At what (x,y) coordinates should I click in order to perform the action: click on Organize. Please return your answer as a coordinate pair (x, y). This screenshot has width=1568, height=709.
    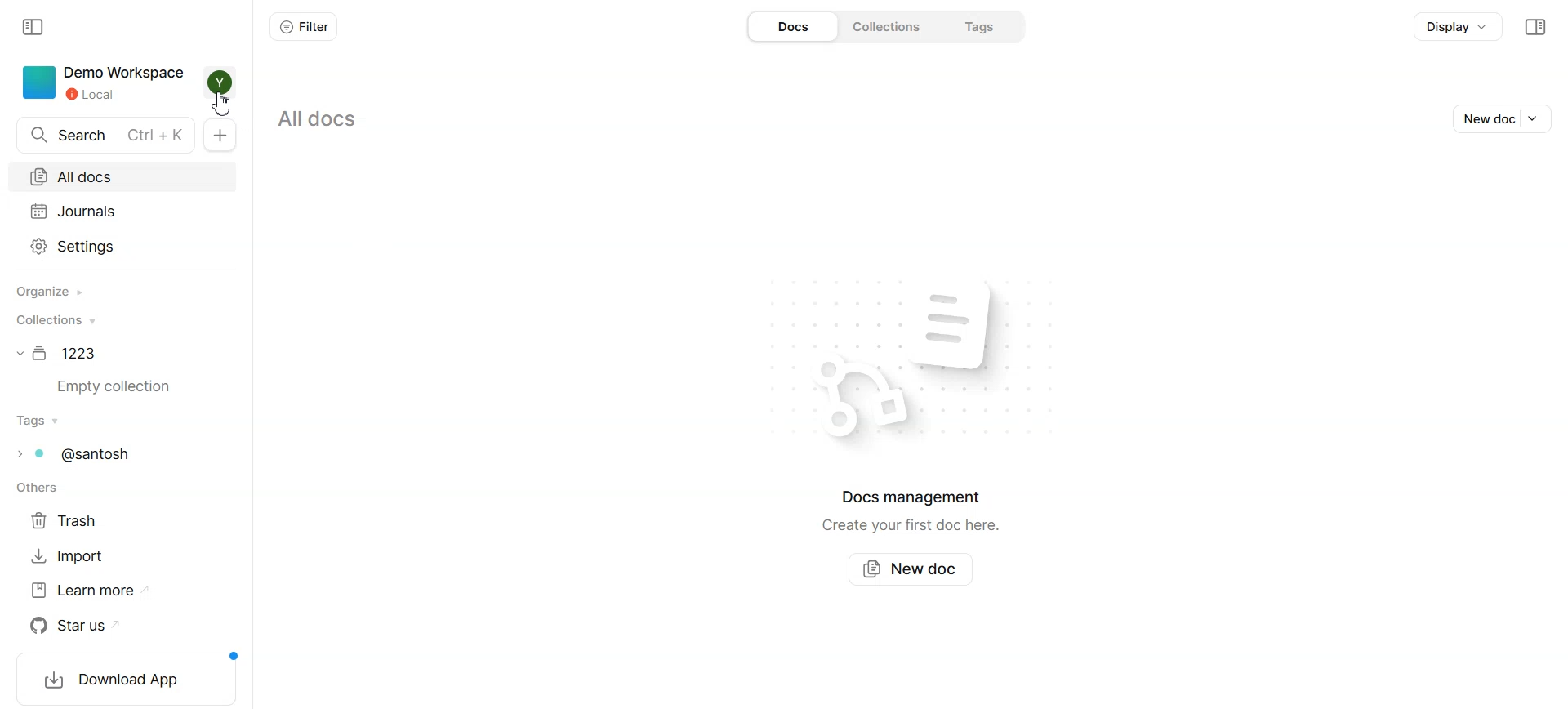
    Looking at the image, I should click on (48, 292).